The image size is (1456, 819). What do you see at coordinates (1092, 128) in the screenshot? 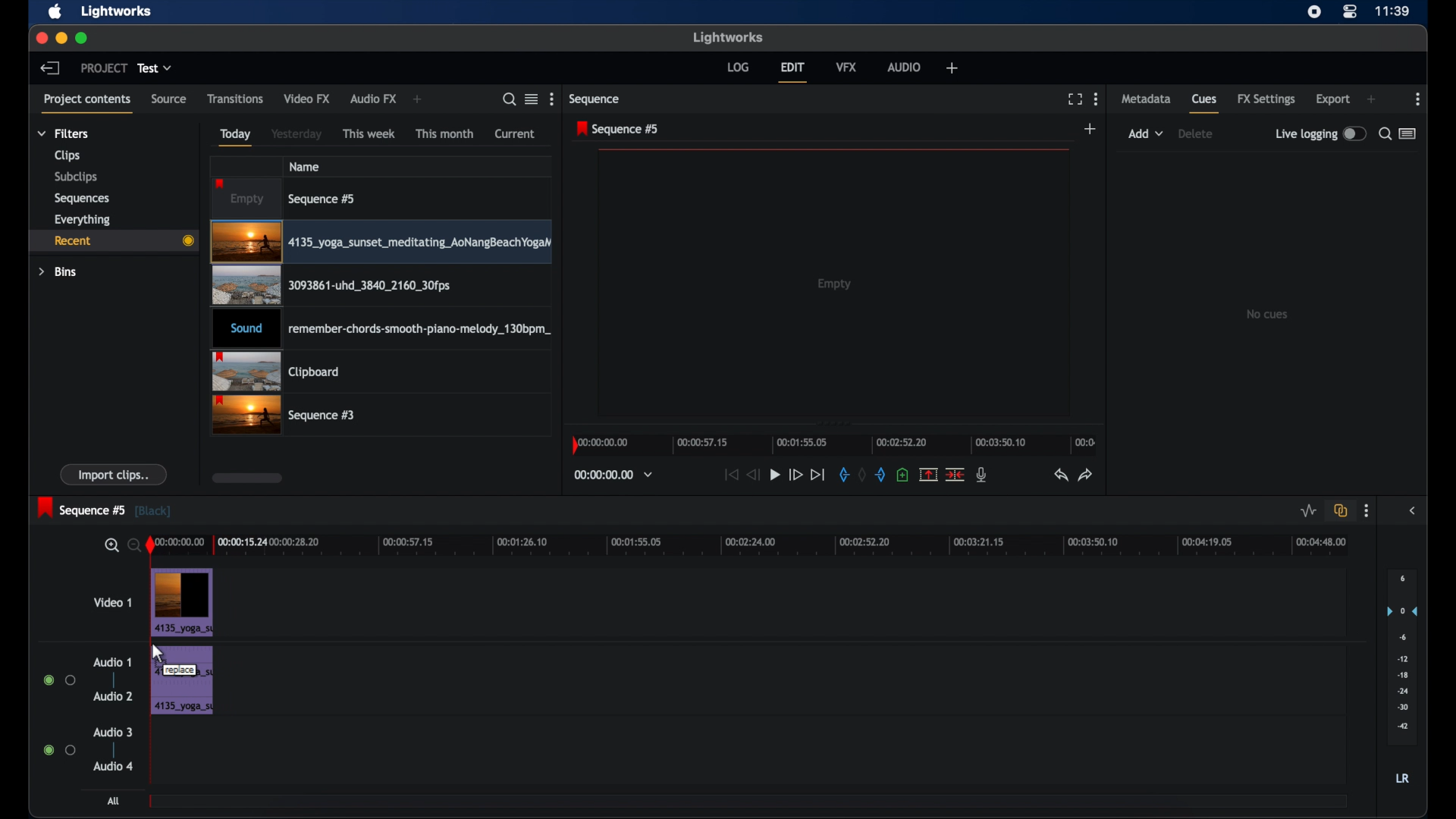
I see `add` at bounding box center [1092, 128].